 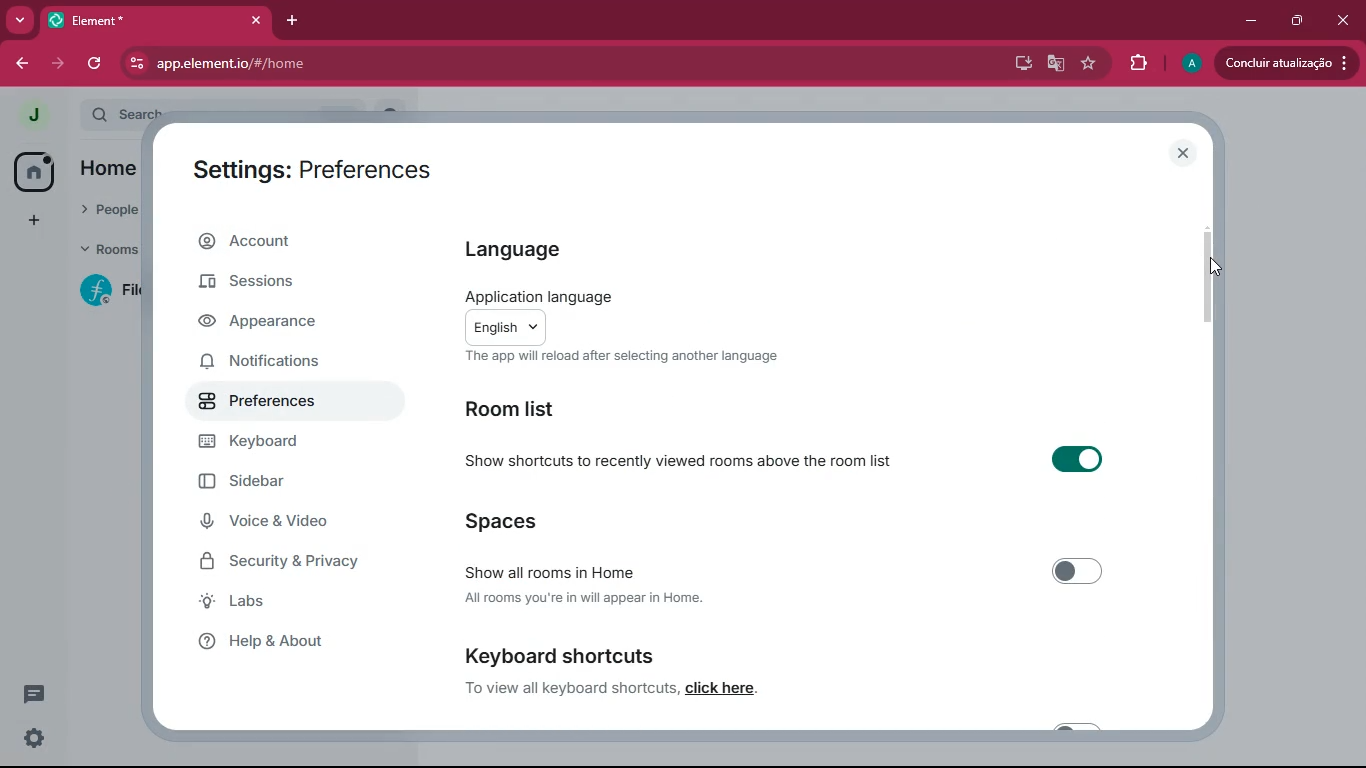 What do you see at coordinates (1089, 64) in the screenshot?
I see `favourite` at bounding box center [1089, 64].